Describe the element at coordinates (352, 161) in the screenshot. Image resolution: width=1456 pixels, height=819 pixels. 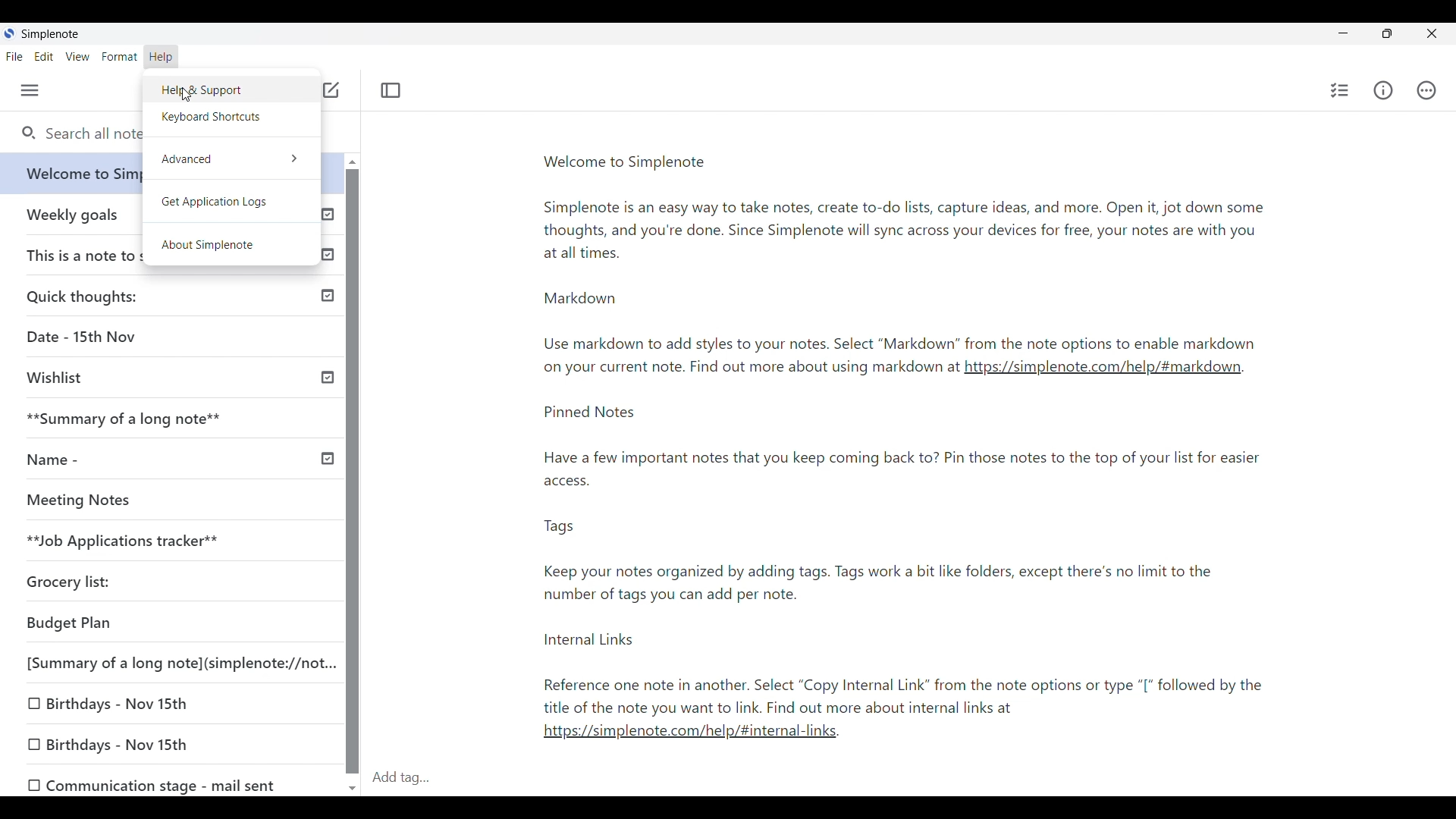
I see `Quick slide to top` at that location.